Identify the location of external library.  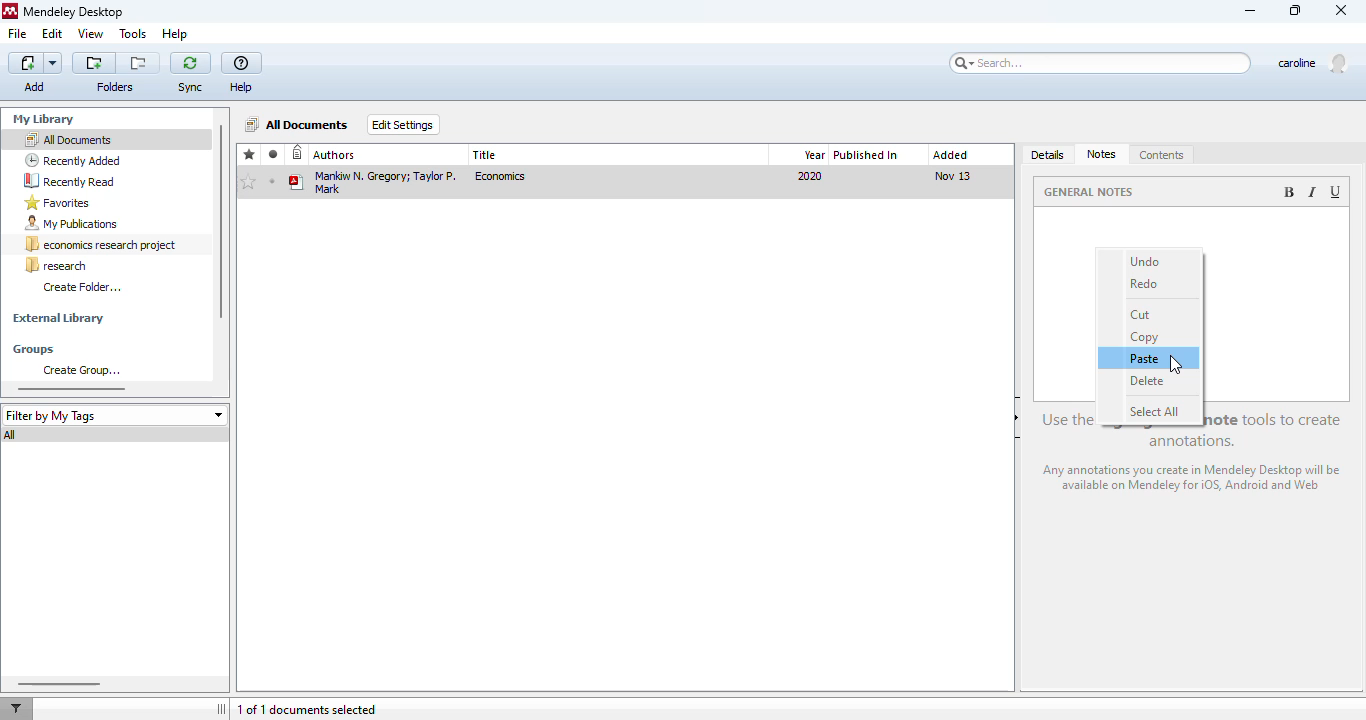
(58, 319).